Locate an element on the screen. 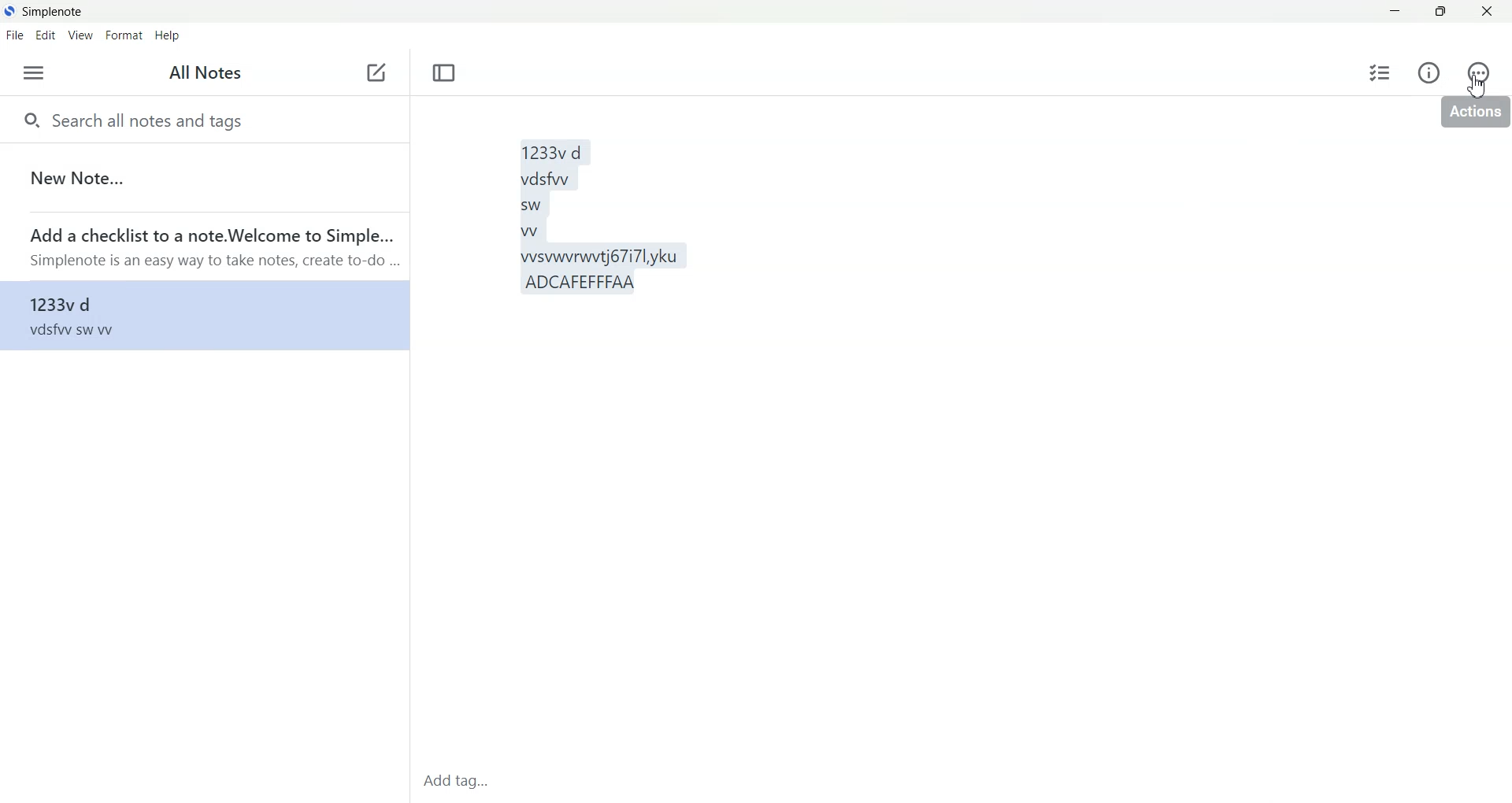 The image size is (1512, 803). Actions is located at coordinates (1473, 115).